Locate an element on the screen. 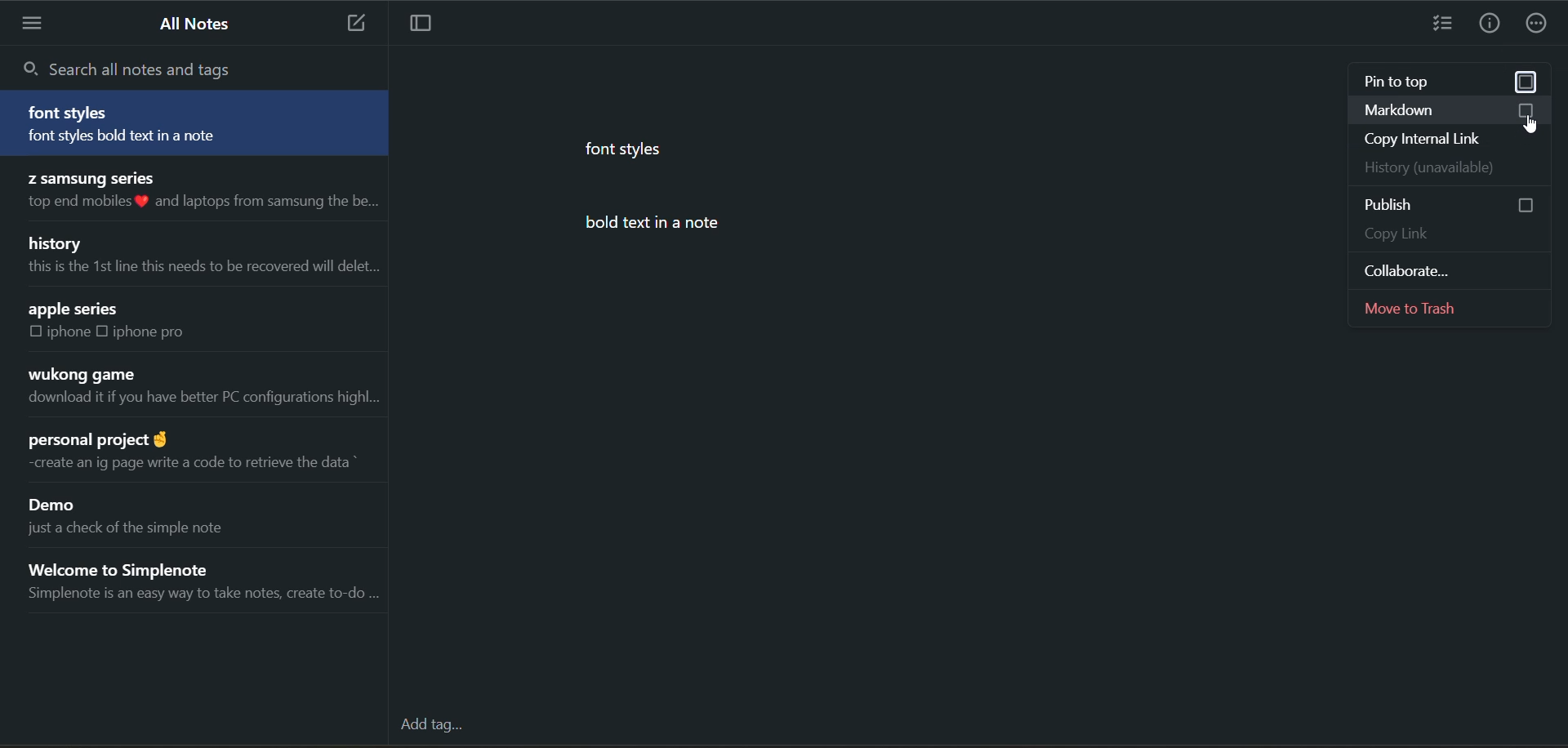 The height and width of the screenshot is (748, 1568). apple series is located at coordinates (75, 309).